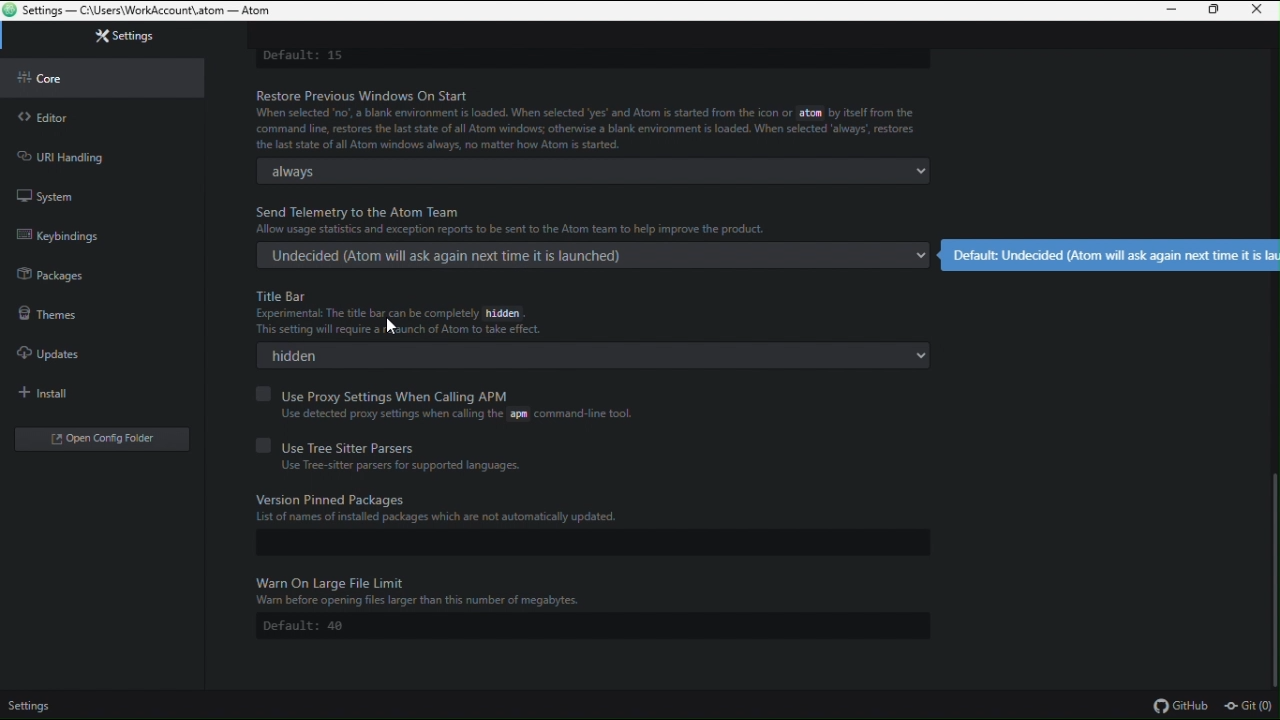 This screenshot has width=1280, height=720. What do you see at coordinates (425, 589) in the screenshot?
I see `‘Warn On Large File Limit
Warn before opening fils larger than ths number of megabytes:` at bounding box center [425, 589].